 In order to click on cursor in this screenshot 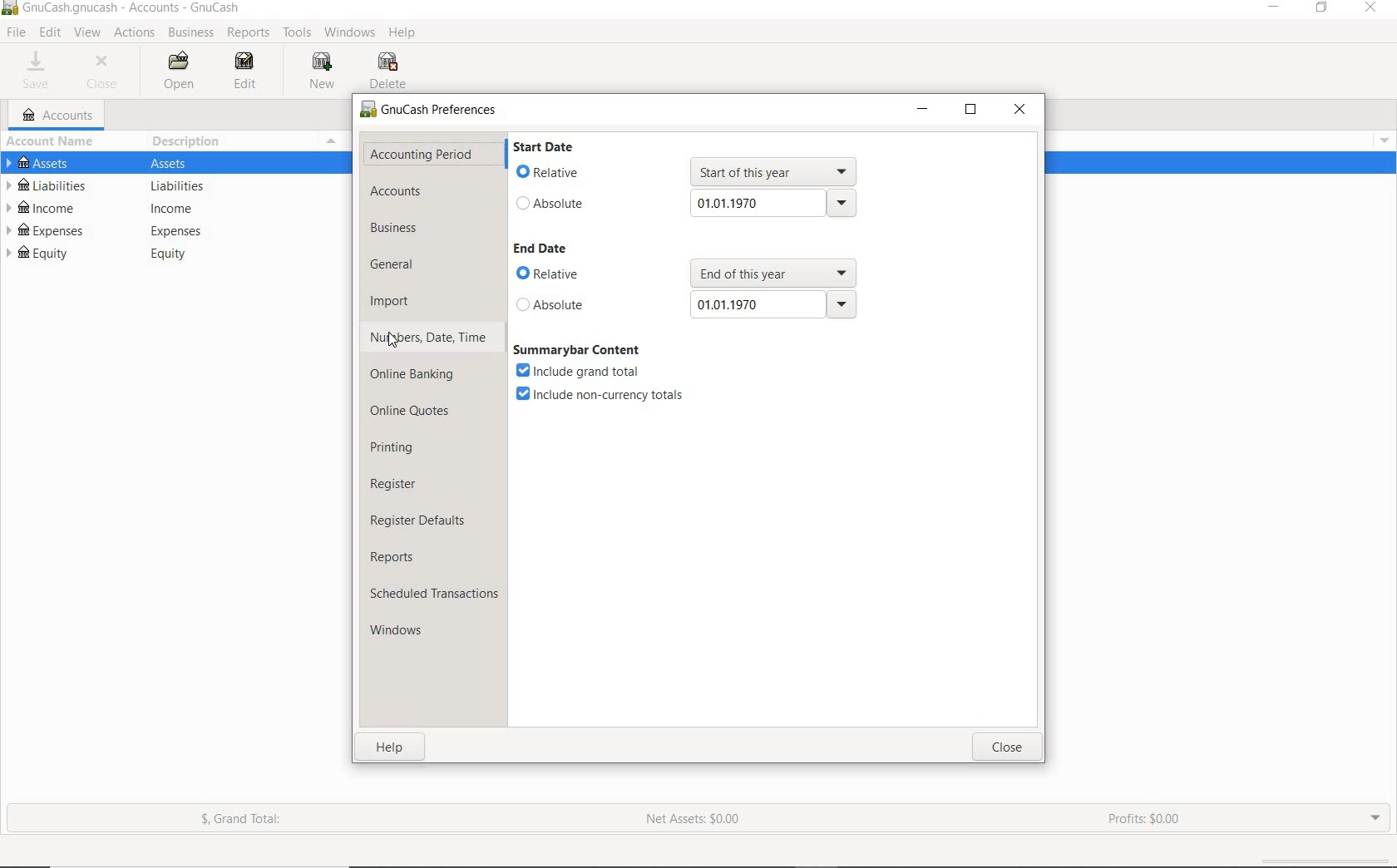, I will do `click(391, 339)`.